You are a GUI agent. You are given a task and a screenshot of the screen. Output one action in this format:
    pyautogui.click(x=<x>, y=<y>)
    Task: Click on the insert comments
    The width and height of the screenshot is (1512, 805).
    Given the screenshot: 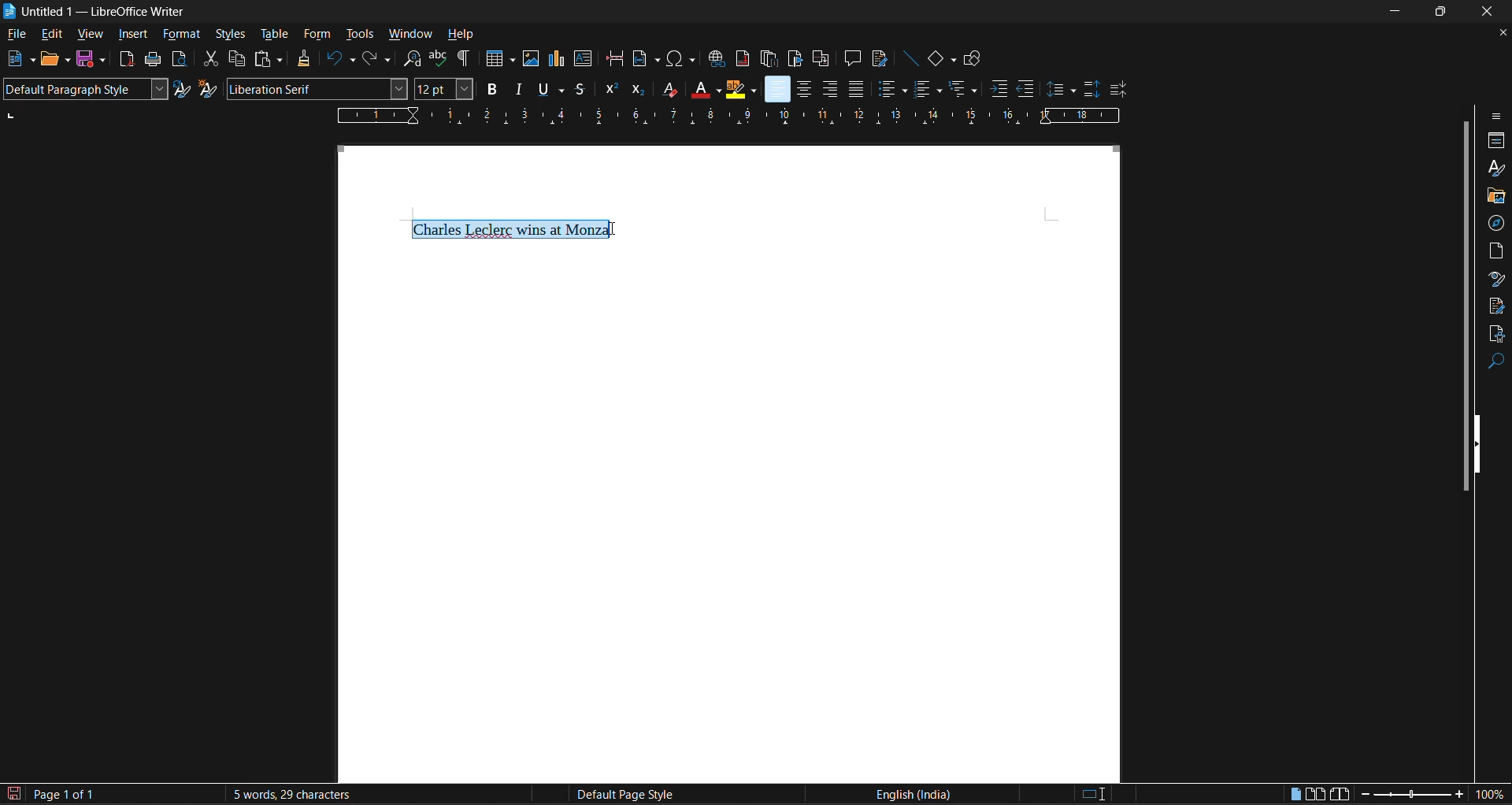 What is the action you would take?
    pyautogui.click(x=853, y=58)
    